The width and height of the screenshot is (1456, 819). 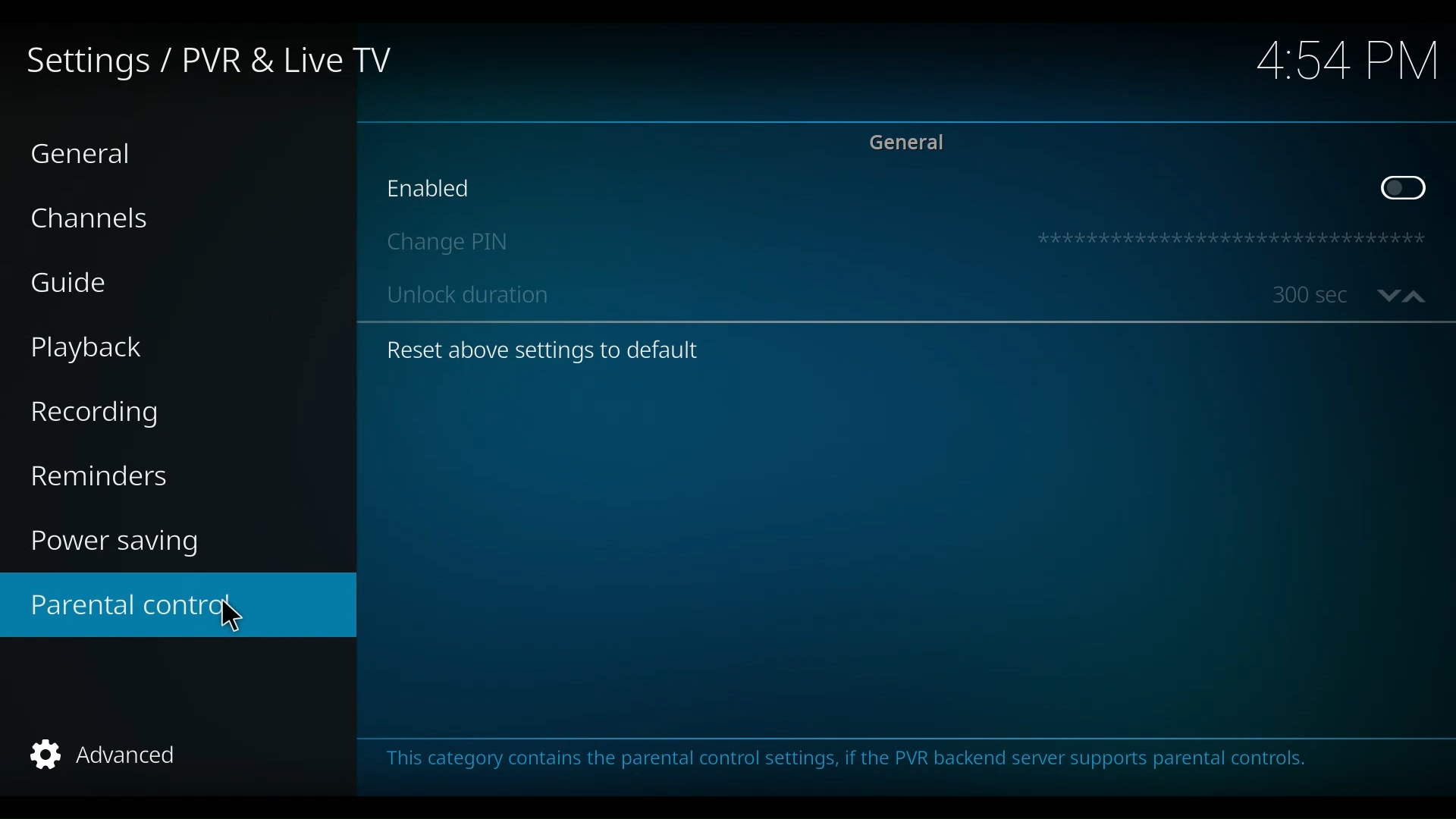 What do you see at coordinates (811, 292) in the screenshot?
I see `Unlock duration` at bounding box center [811, 292].